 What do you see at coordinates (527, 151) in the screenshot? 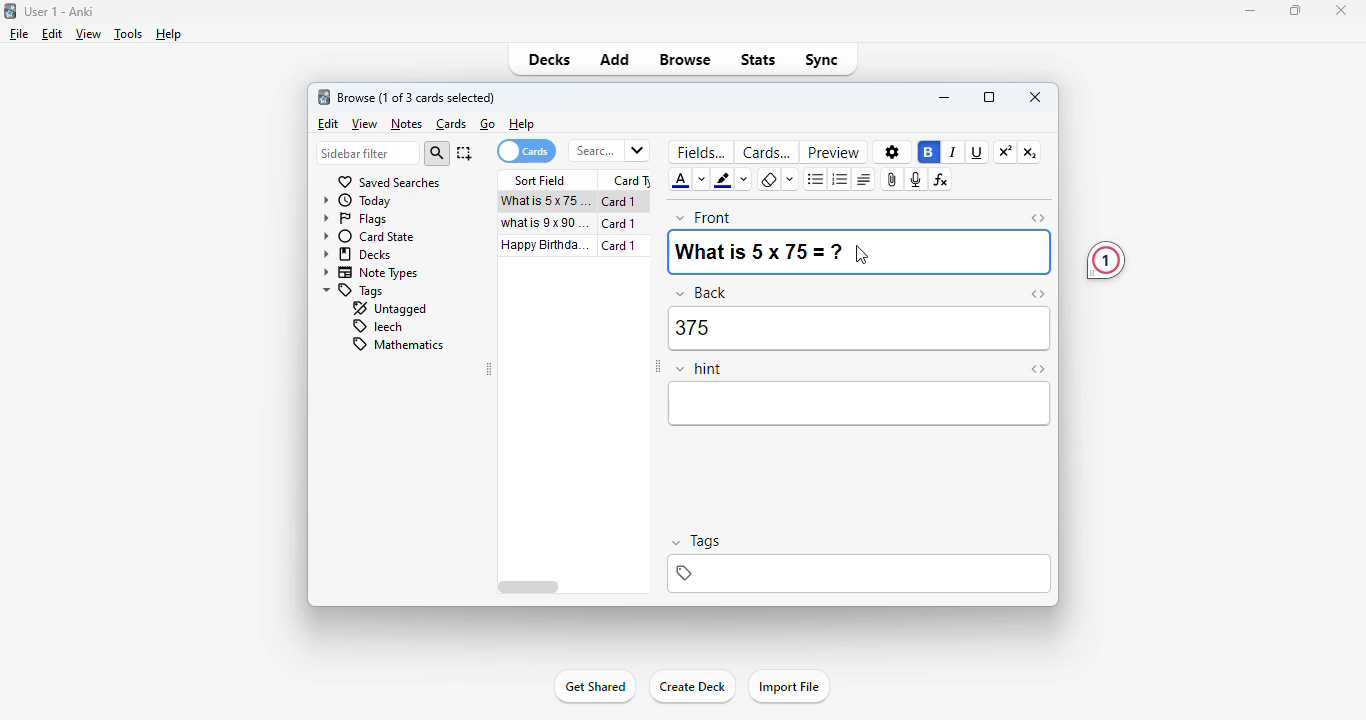
I see `cards` at bounding box center [527, 151].